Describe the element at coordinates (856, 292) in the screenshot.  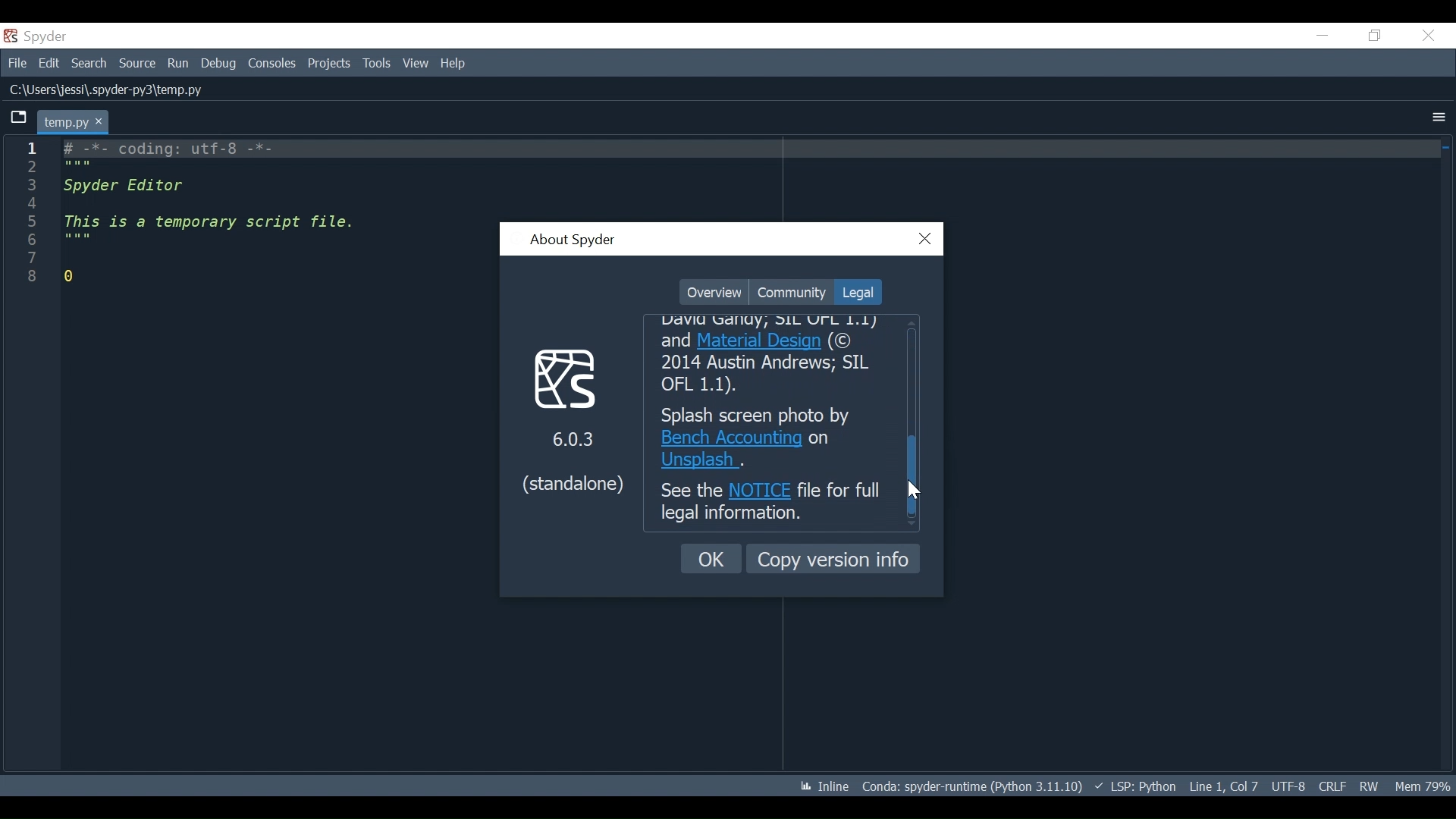
I see `Legal` at that location.